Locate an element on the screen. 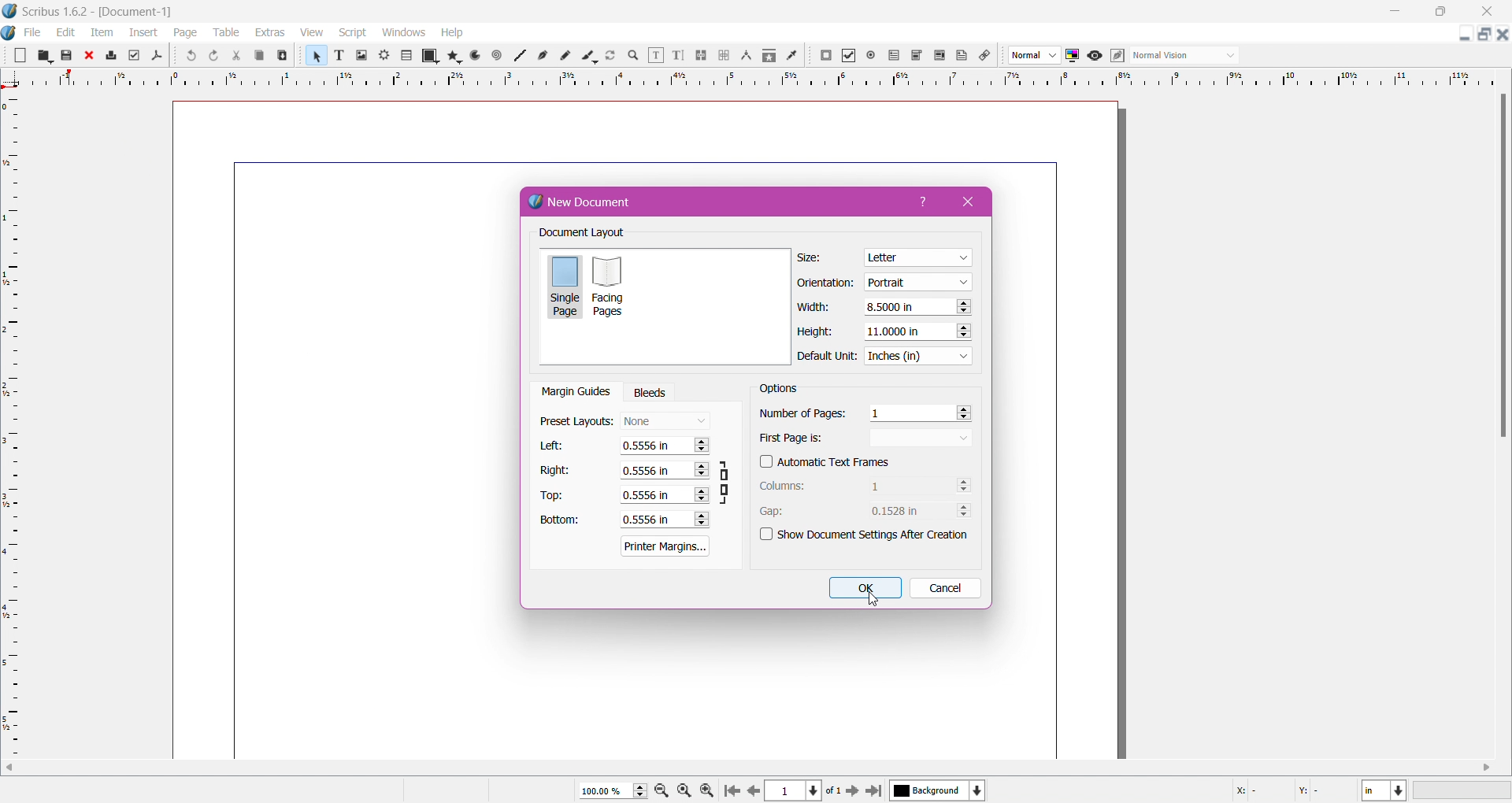 Image resolution: width=1512 pixels, height=803 pixels. skip to first is located at coordinates (732, 790).